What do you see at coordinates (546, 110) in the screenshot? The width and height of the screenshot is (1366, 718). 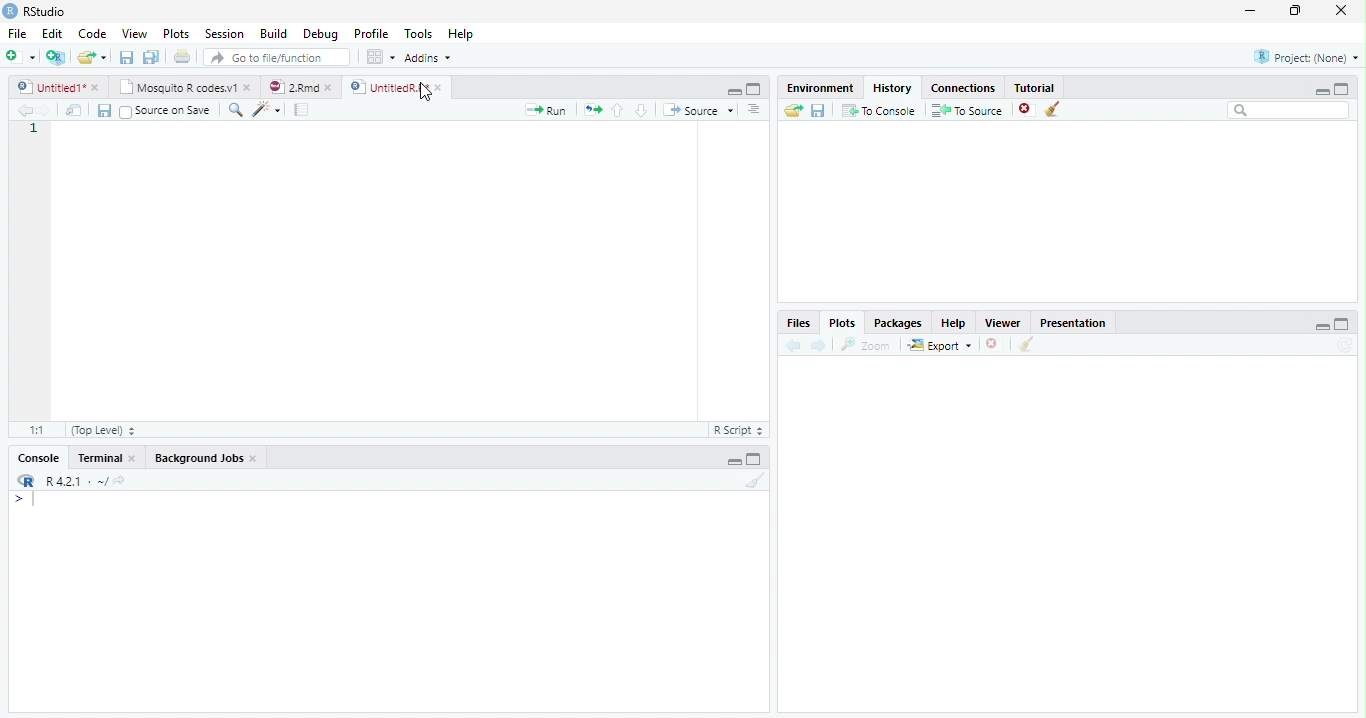 I see `Run` at bounding box center [546, 110].